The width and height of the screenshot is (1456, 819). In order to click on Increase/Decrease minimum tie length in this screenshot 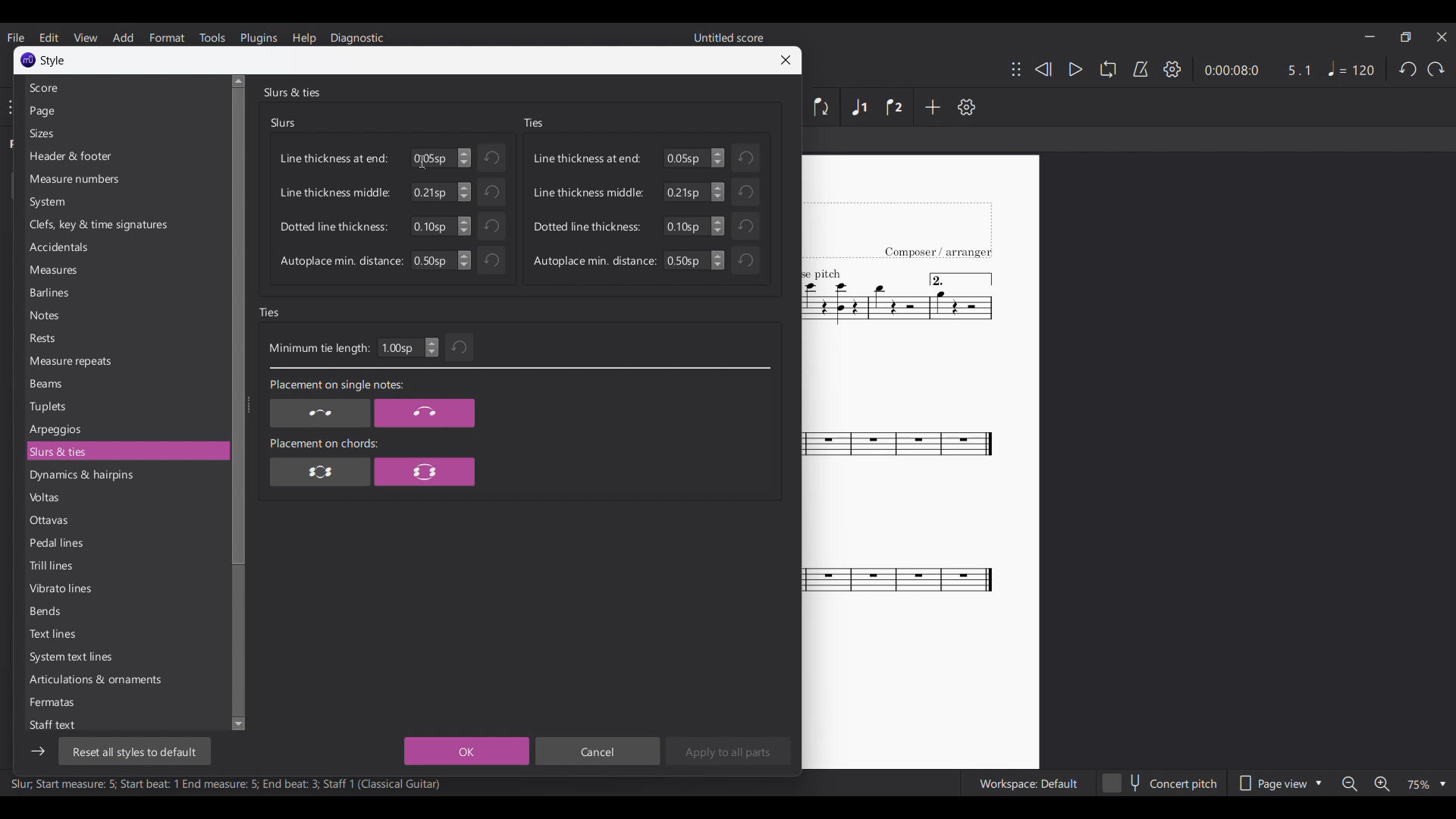, I will do `click(431, 347)`.